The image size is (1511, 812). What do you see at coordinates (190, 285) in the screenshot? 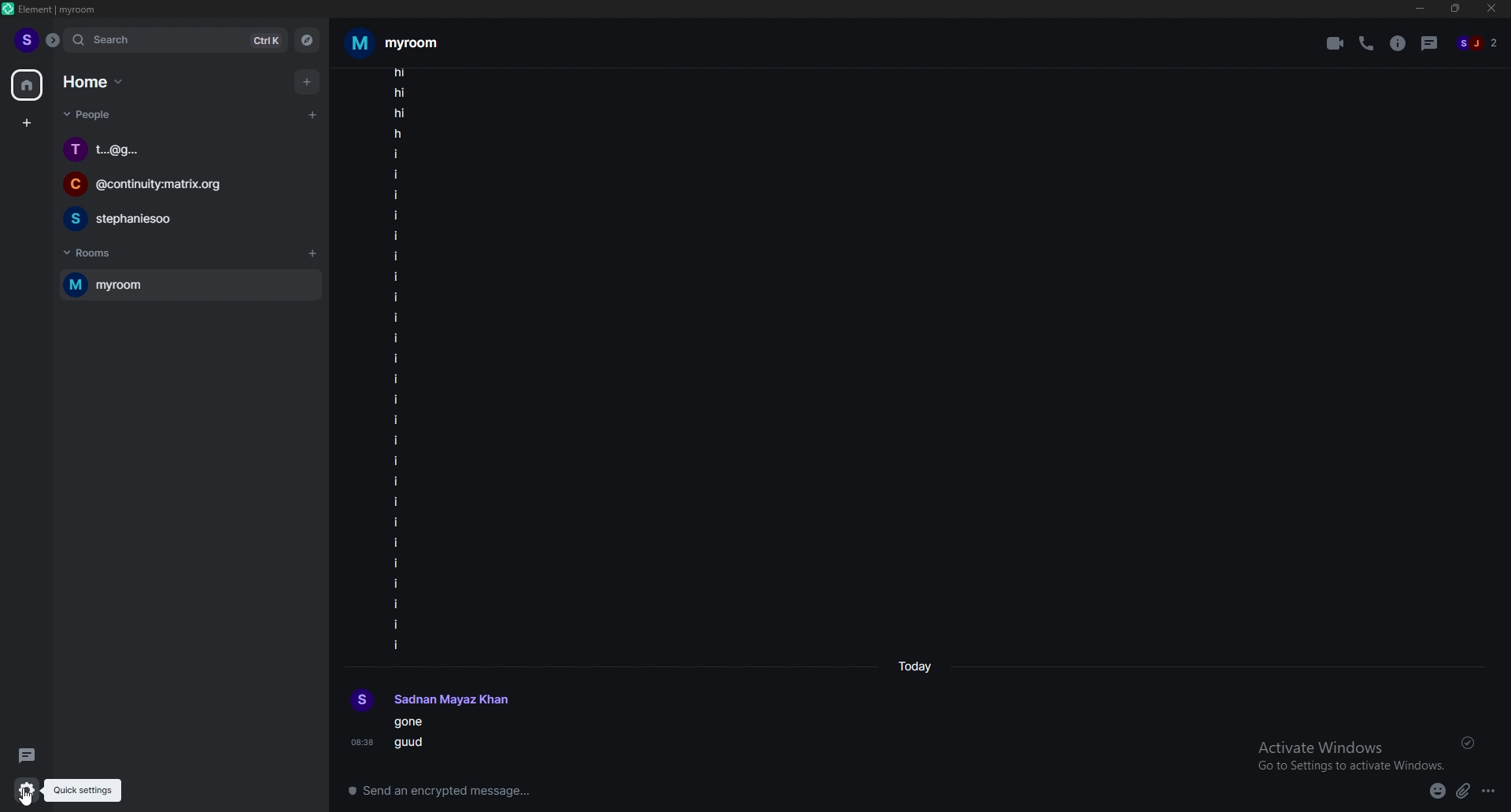
I see `my room` at bounding box center [190, 285].